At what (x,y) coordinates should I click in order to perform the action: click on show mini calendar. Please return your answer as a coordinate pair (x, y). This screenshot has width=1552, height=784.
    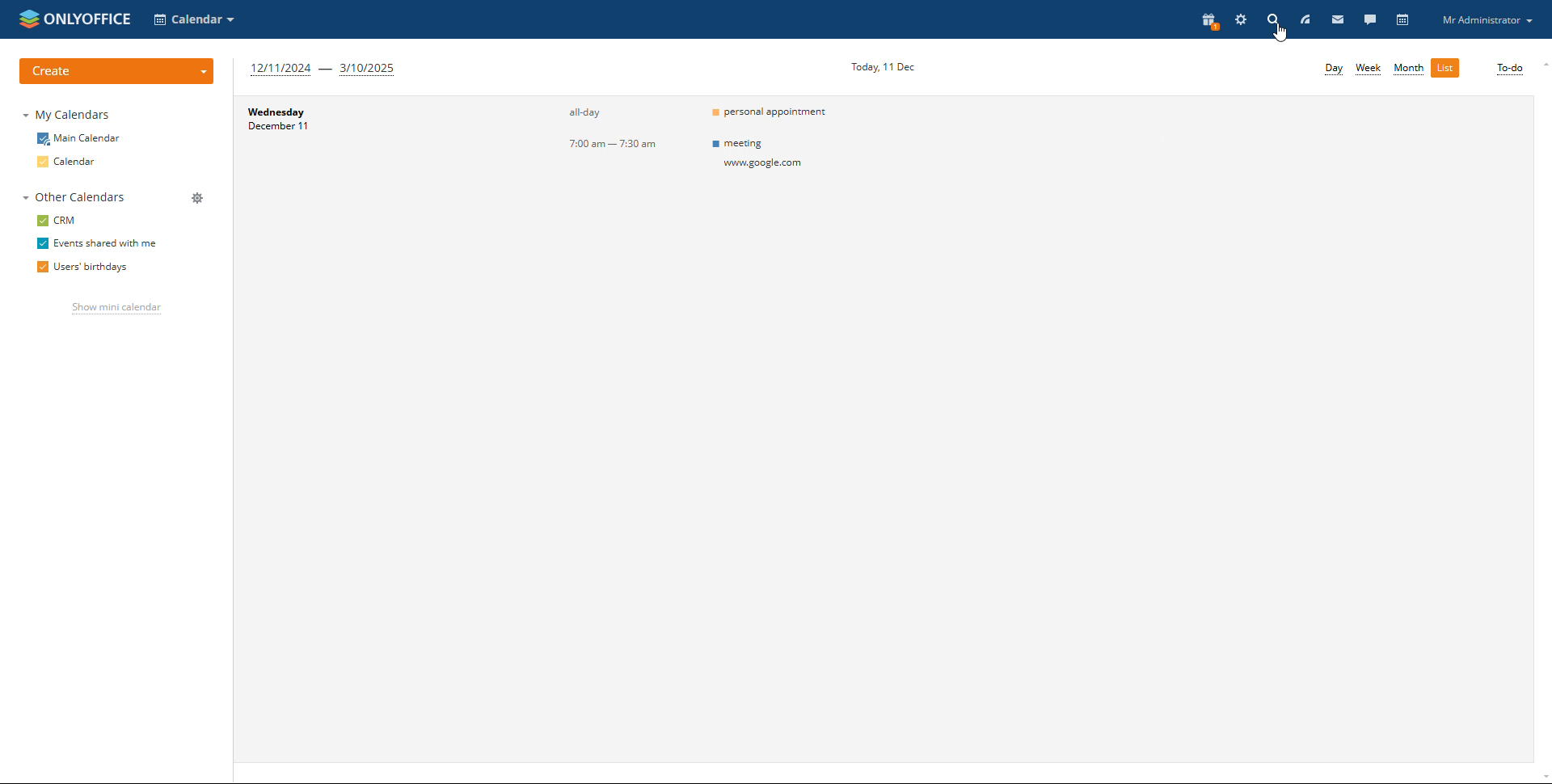
    Looking at the image, I should click on (118, 308).